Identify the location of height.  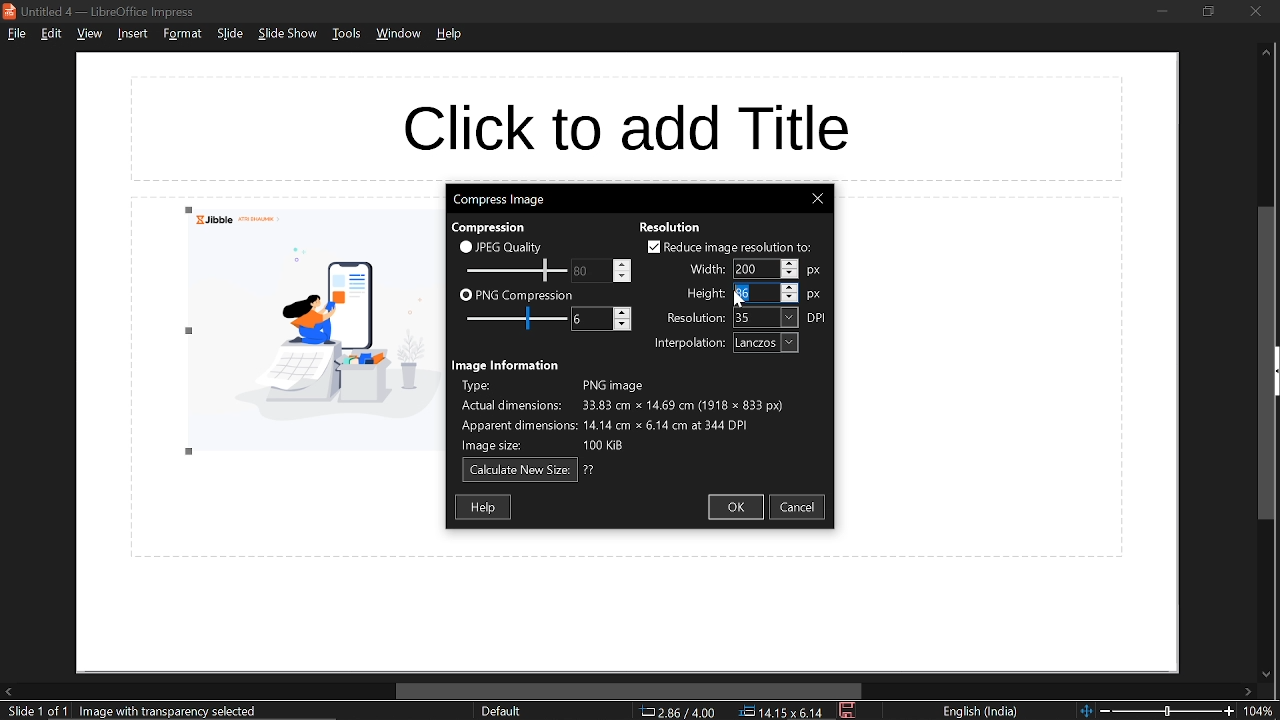
(754, 293).